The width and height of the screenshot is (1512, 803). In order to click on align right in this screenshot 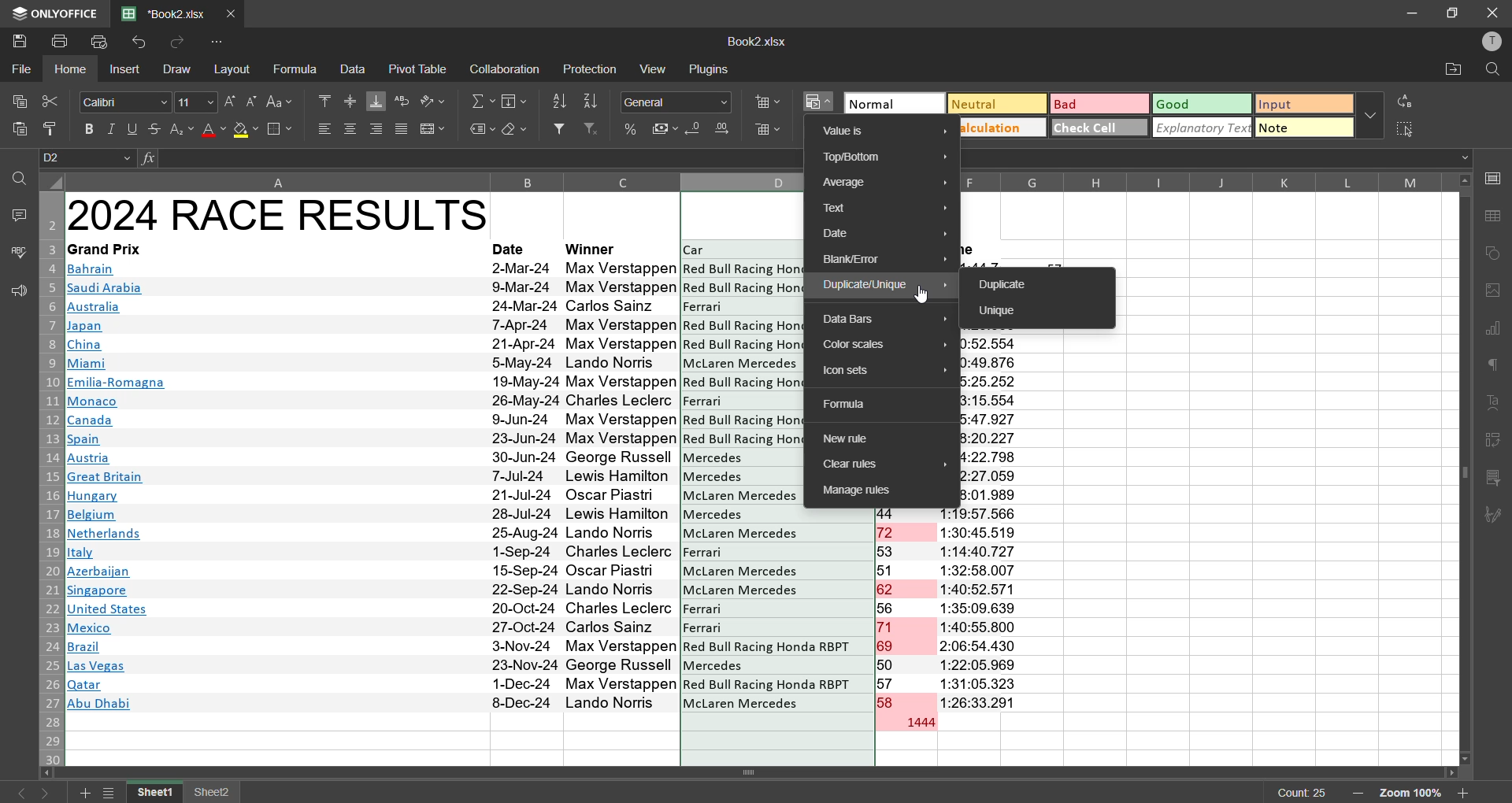, I will do `click(380, 128)`.